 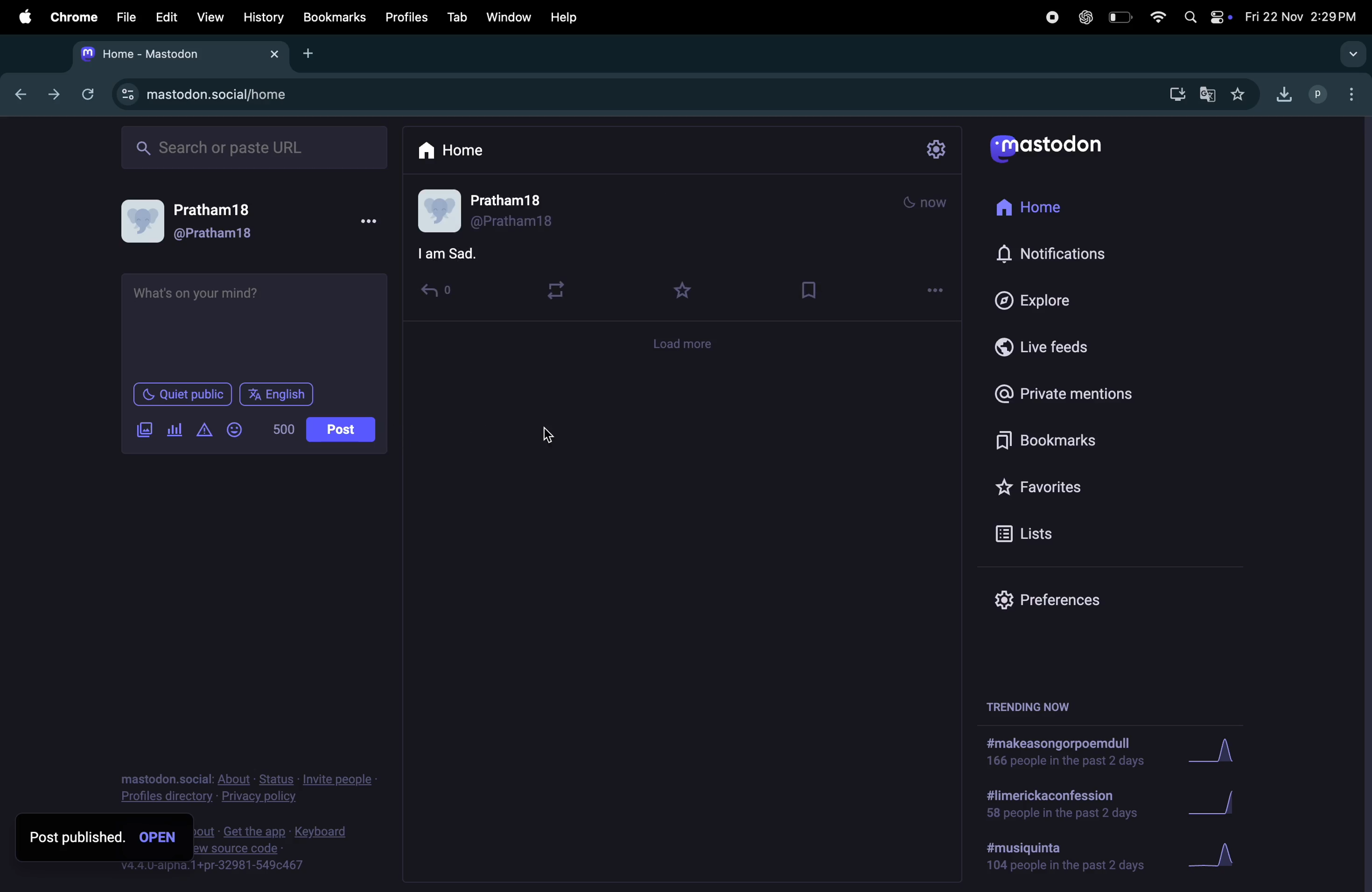 I want to click on search url, so click(x=227, y=92).